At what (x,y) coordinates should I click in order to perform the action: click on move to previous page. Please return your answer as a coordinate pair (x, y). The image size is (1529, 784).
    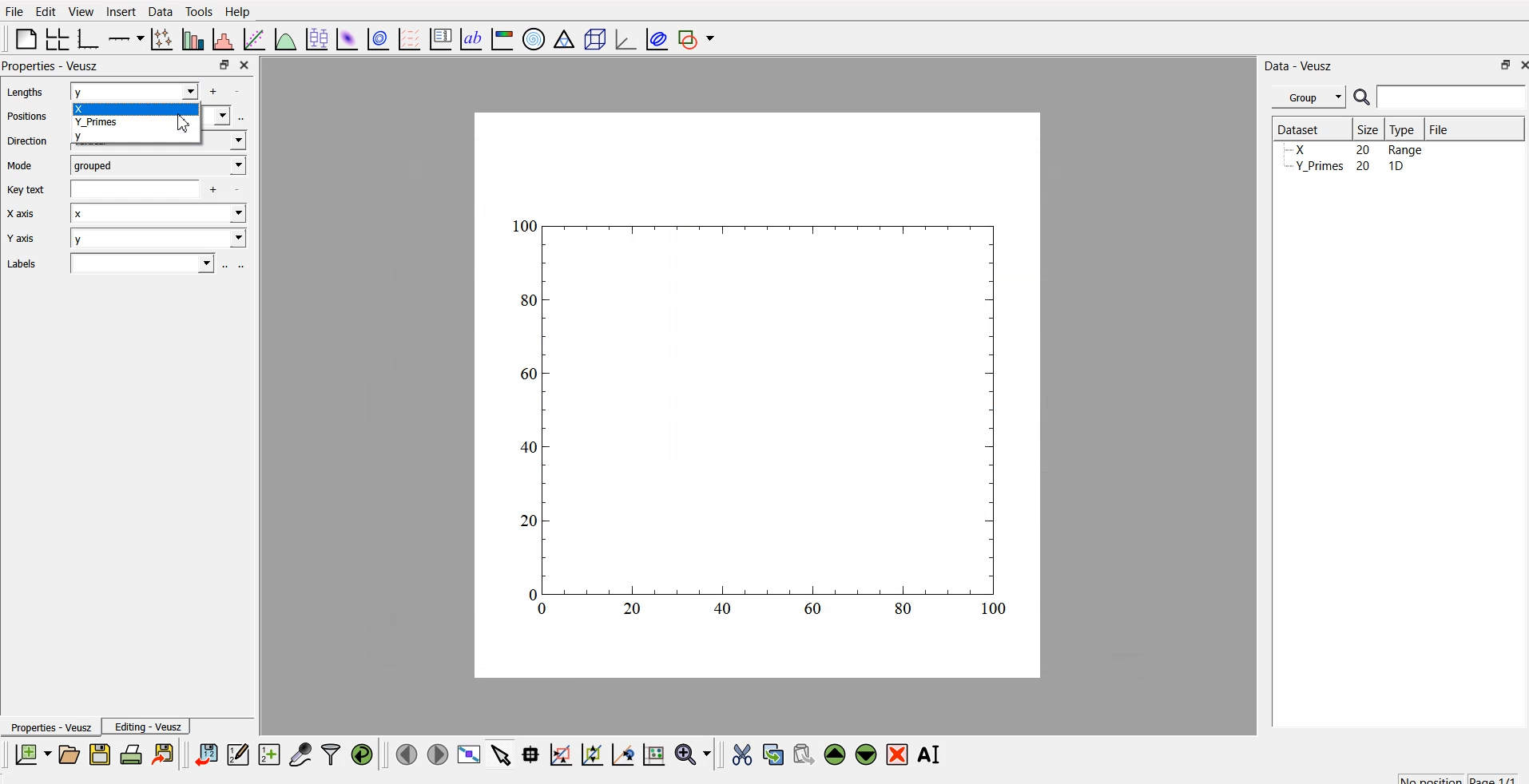
    Looking at the image, I should click on (404, 754).